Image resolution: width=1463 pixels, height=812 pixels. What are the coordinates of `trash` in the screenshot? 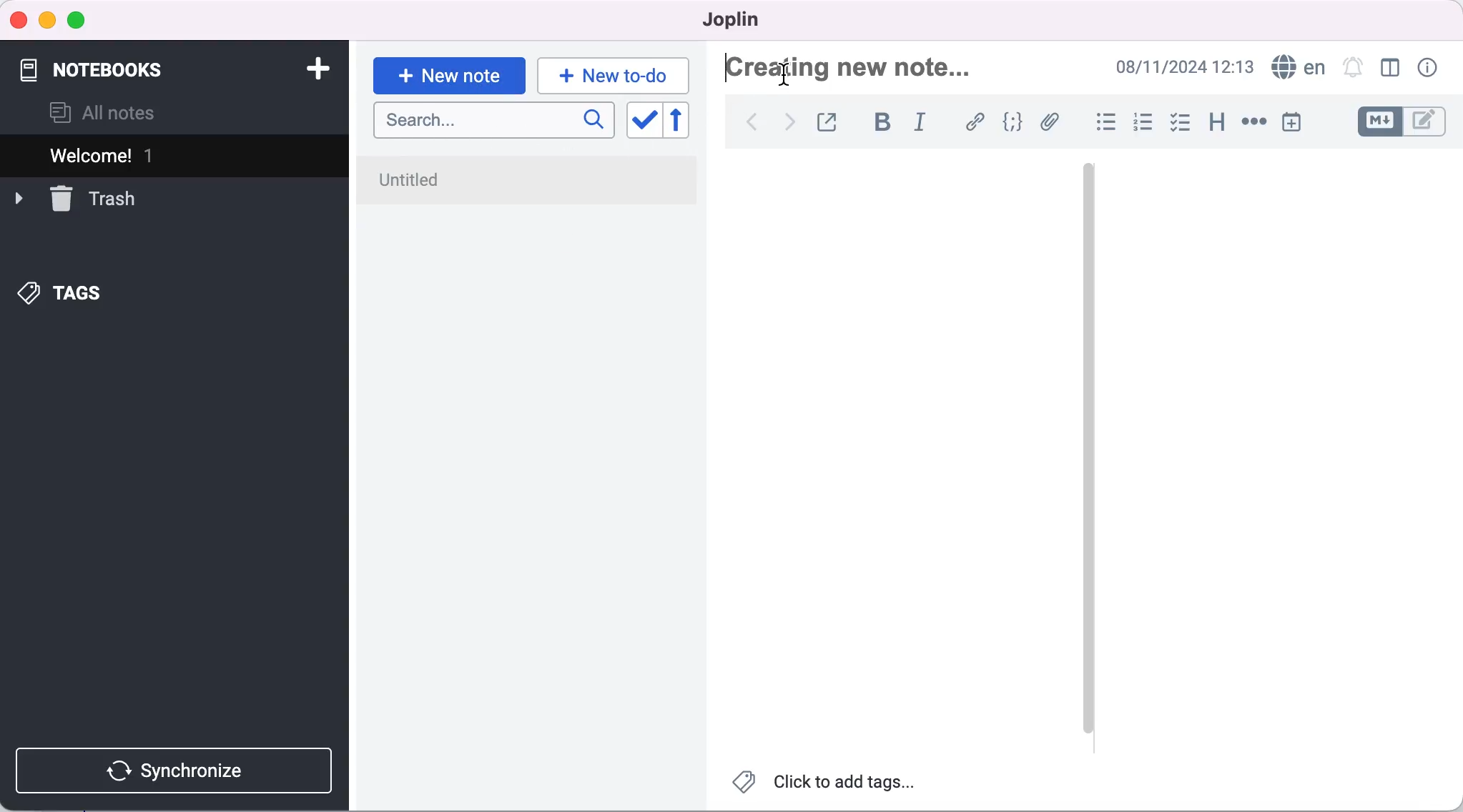 It's located at (92, 199).